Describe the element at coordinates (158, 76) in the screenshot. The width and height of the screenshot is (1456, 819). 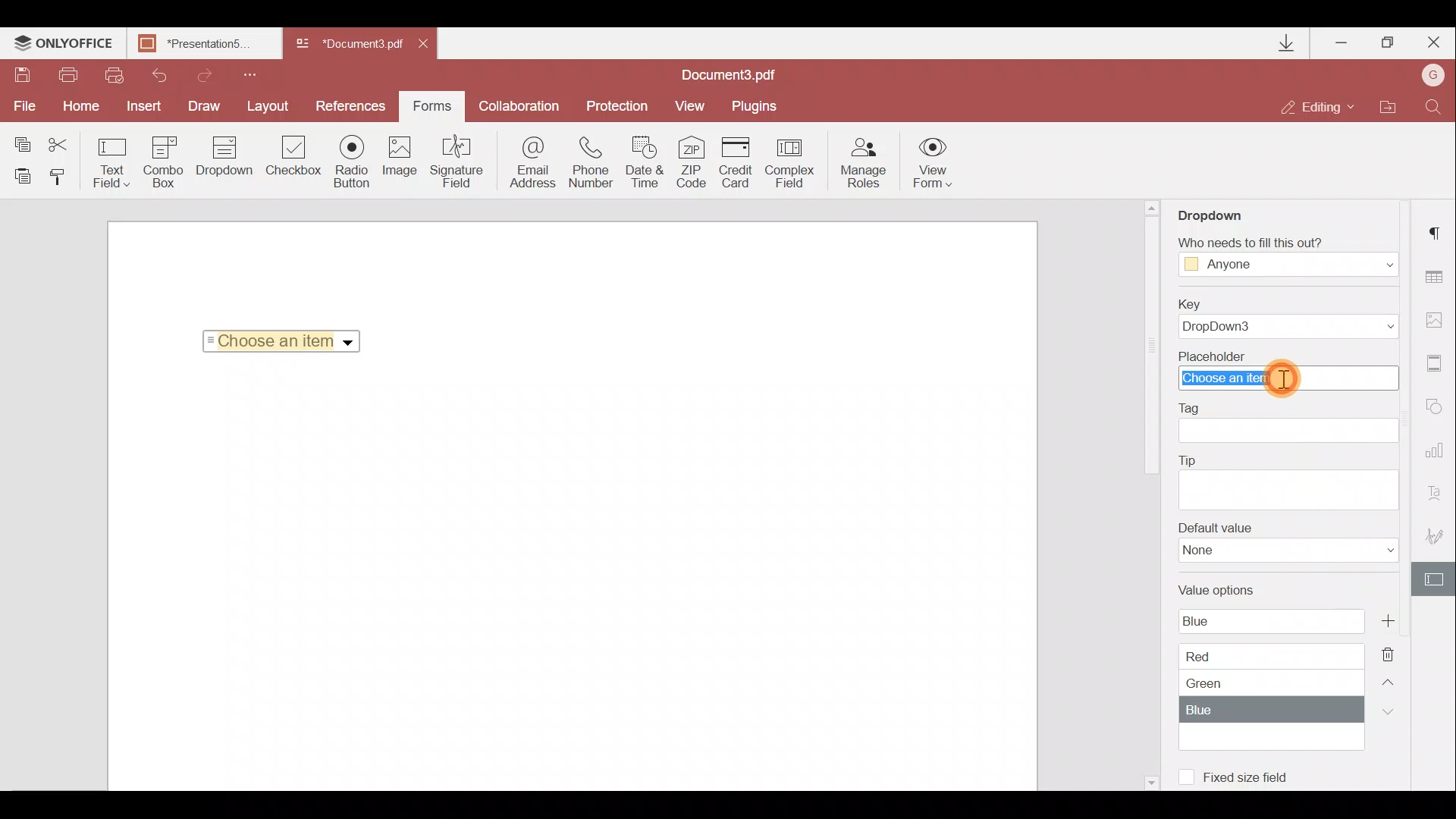
I see `Undo` at that location.